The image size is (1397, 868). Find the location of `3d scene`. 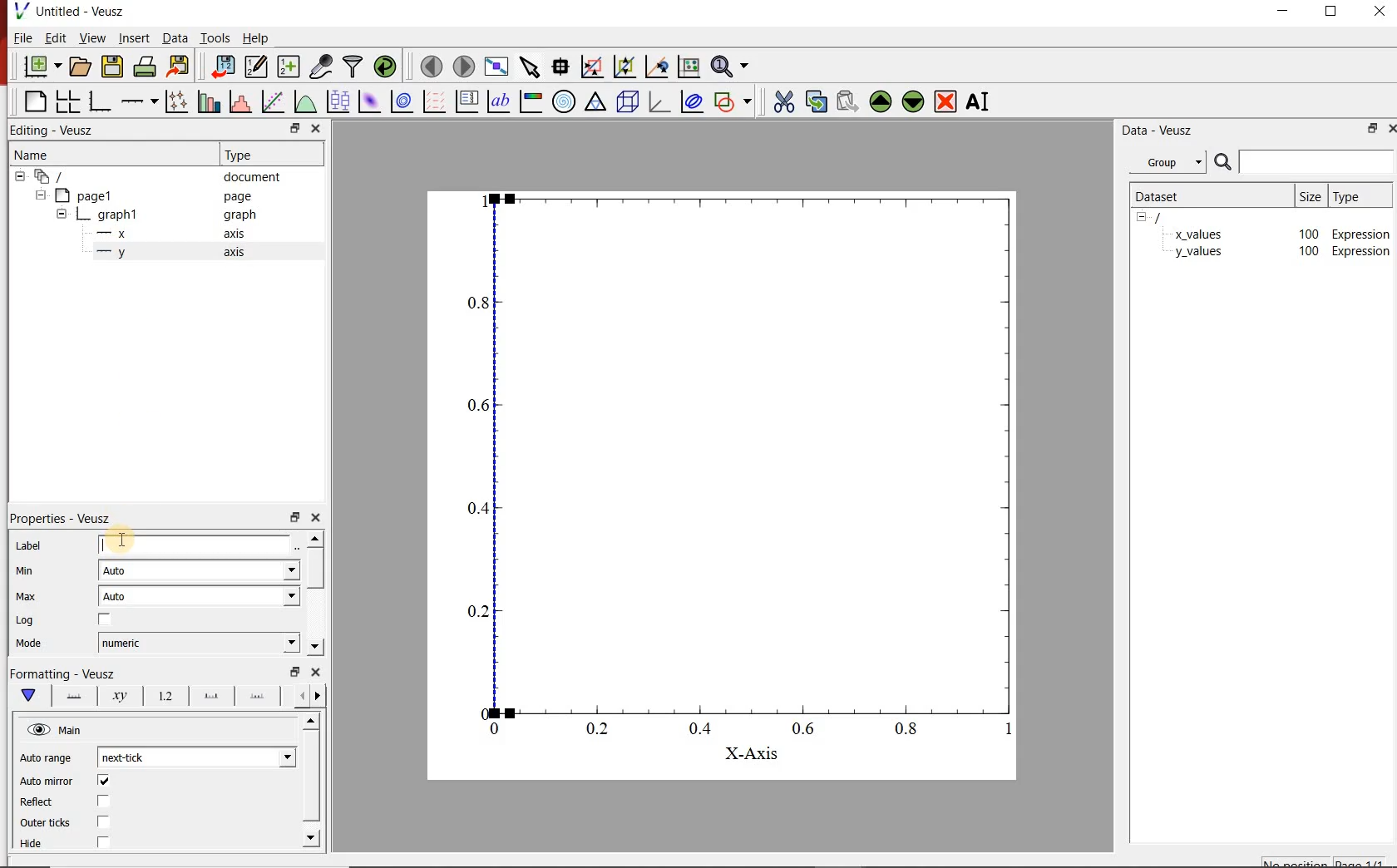

3d scene is located at coordinates (629, 104).